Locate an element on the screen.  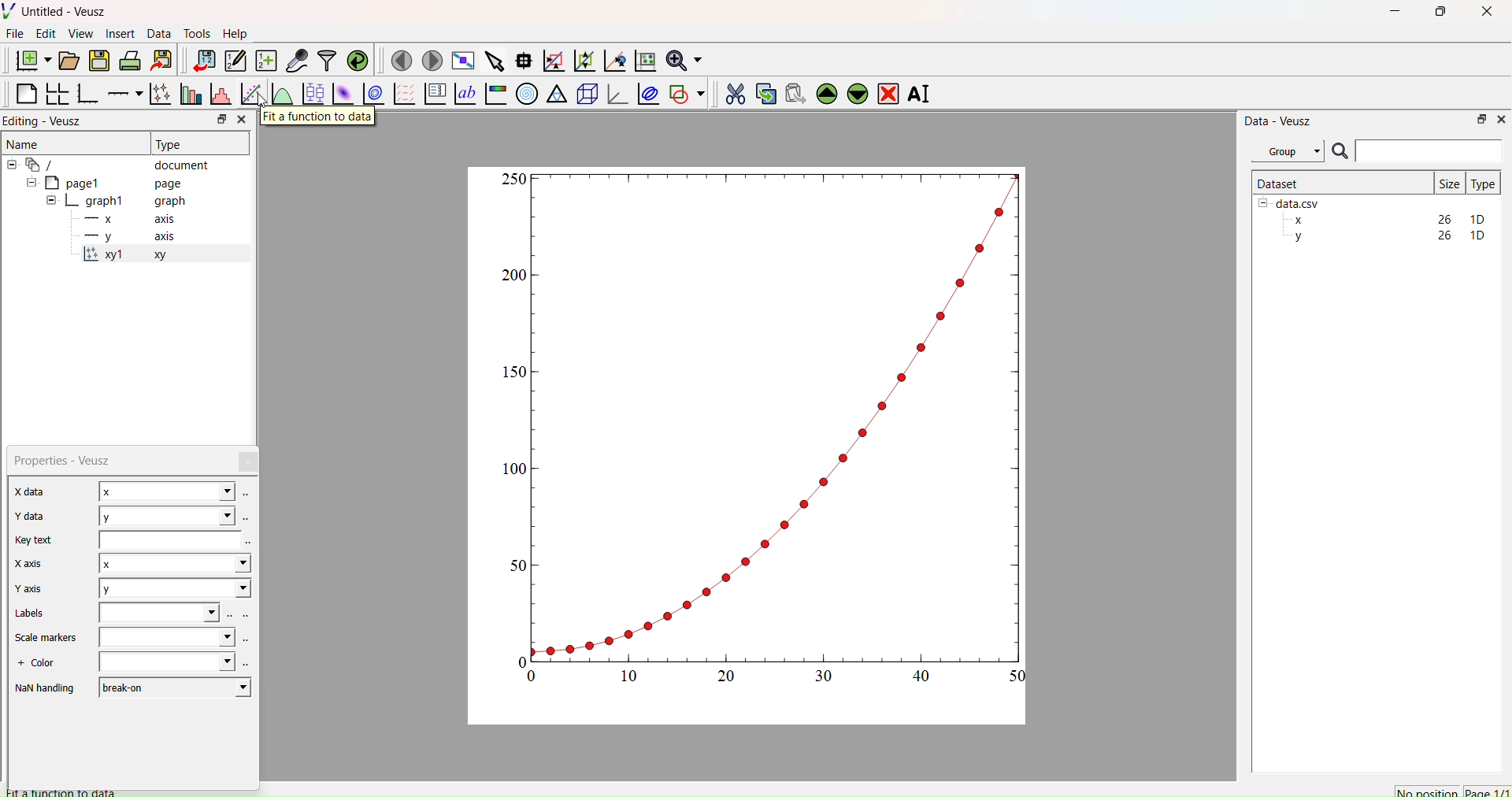
Zoom graph axes is located at coordinates (553, 61).